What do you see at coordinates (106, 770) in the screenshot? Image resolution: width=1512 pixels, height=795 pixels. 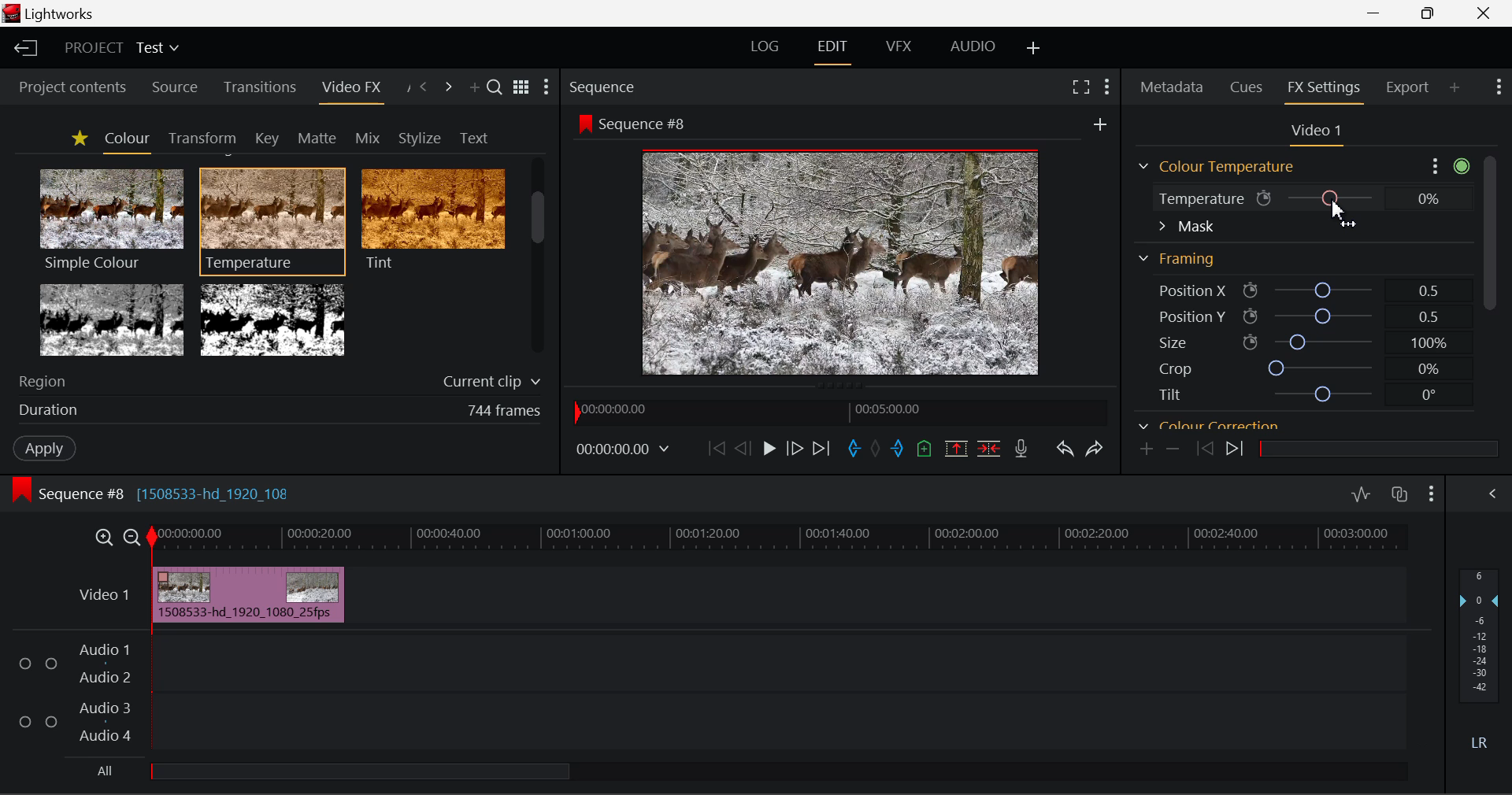 I see `All` at bounding box center [106, 770].